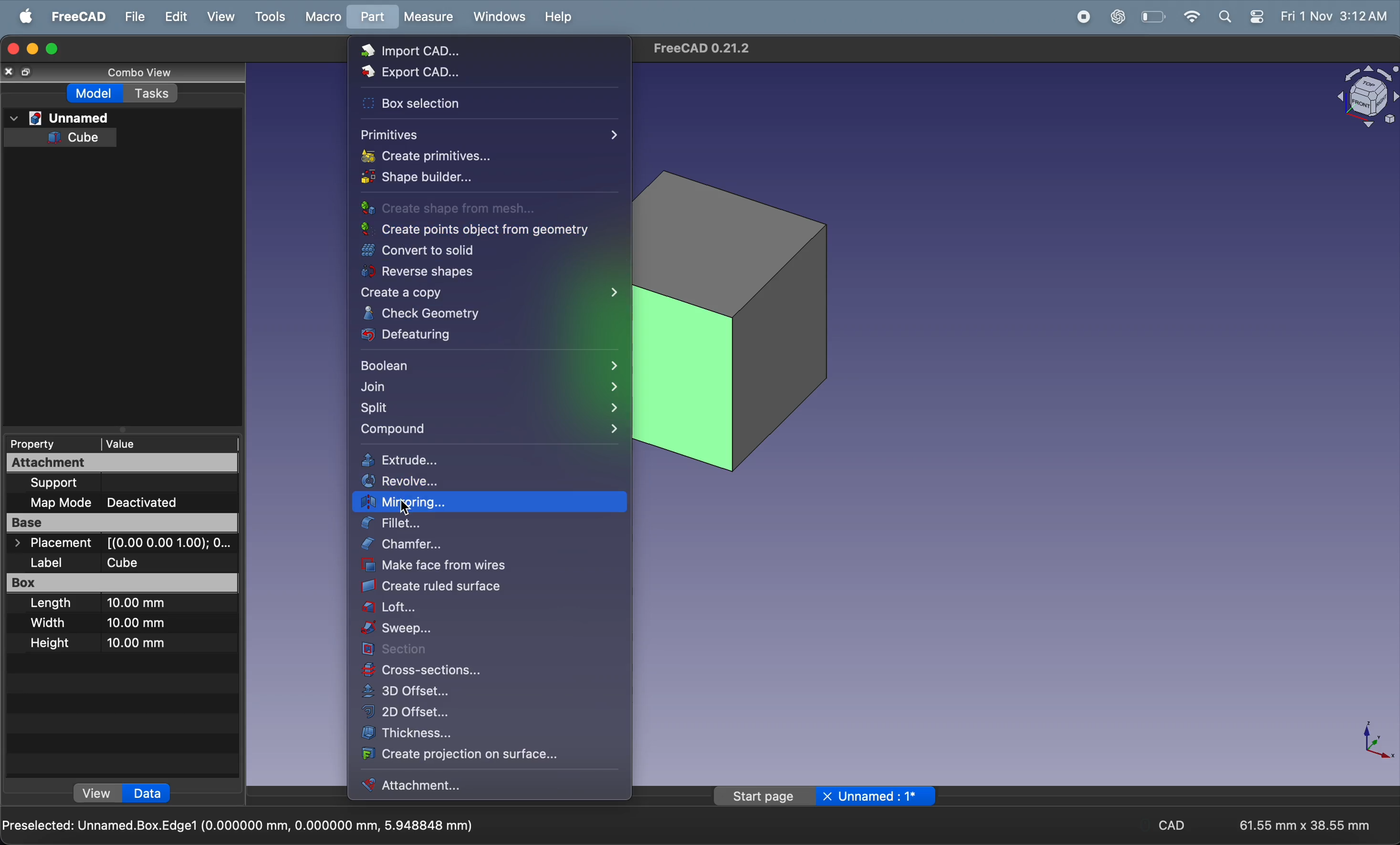 The width and height of the screenshot is (1400, 845). Describe the element at coordinates (1368, 742) in the screenshot. I see `axis` at that location.